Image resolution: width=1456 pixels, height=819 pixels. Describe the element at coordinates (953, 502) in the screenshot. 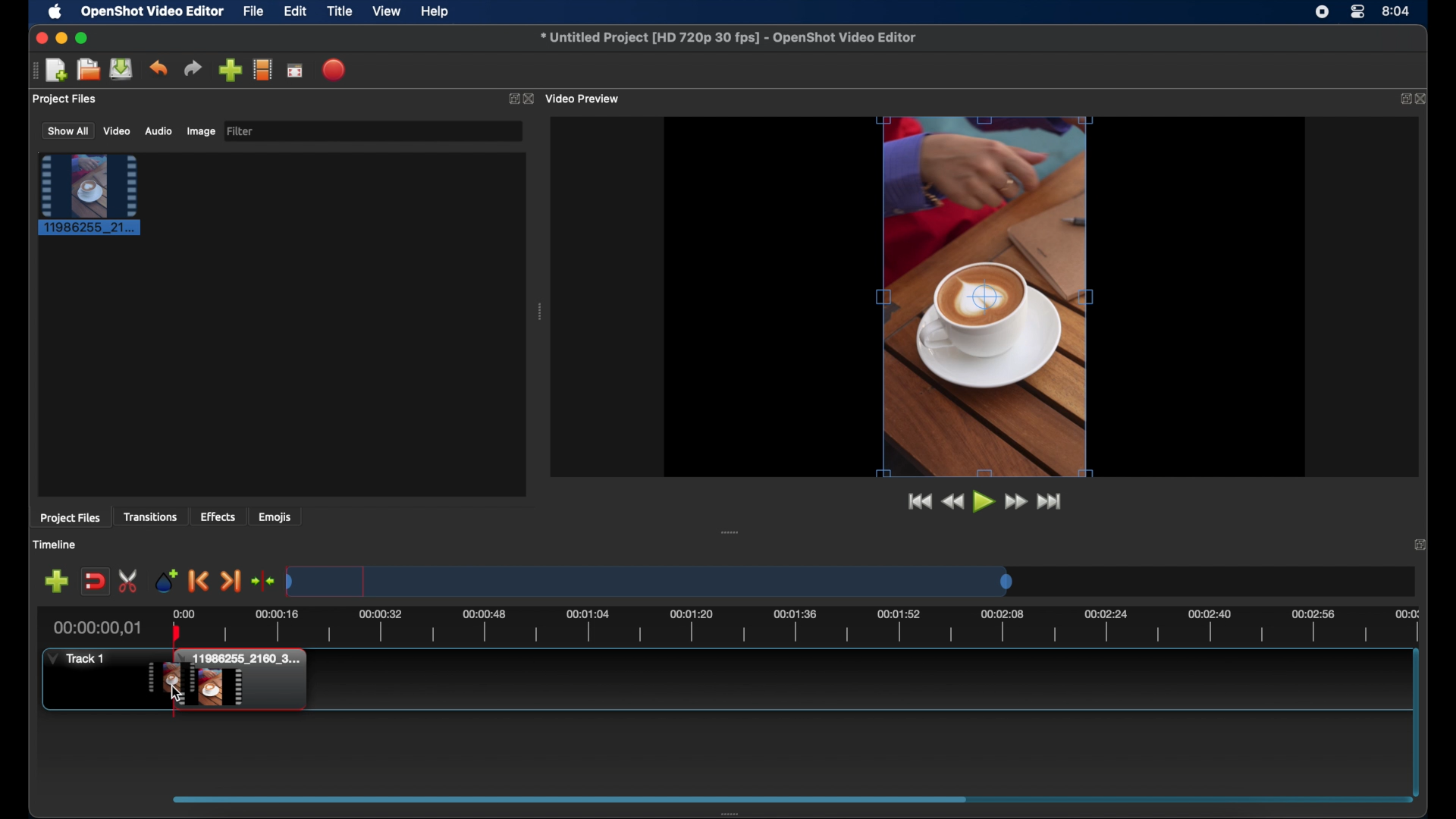

I see `rewind` at that location.